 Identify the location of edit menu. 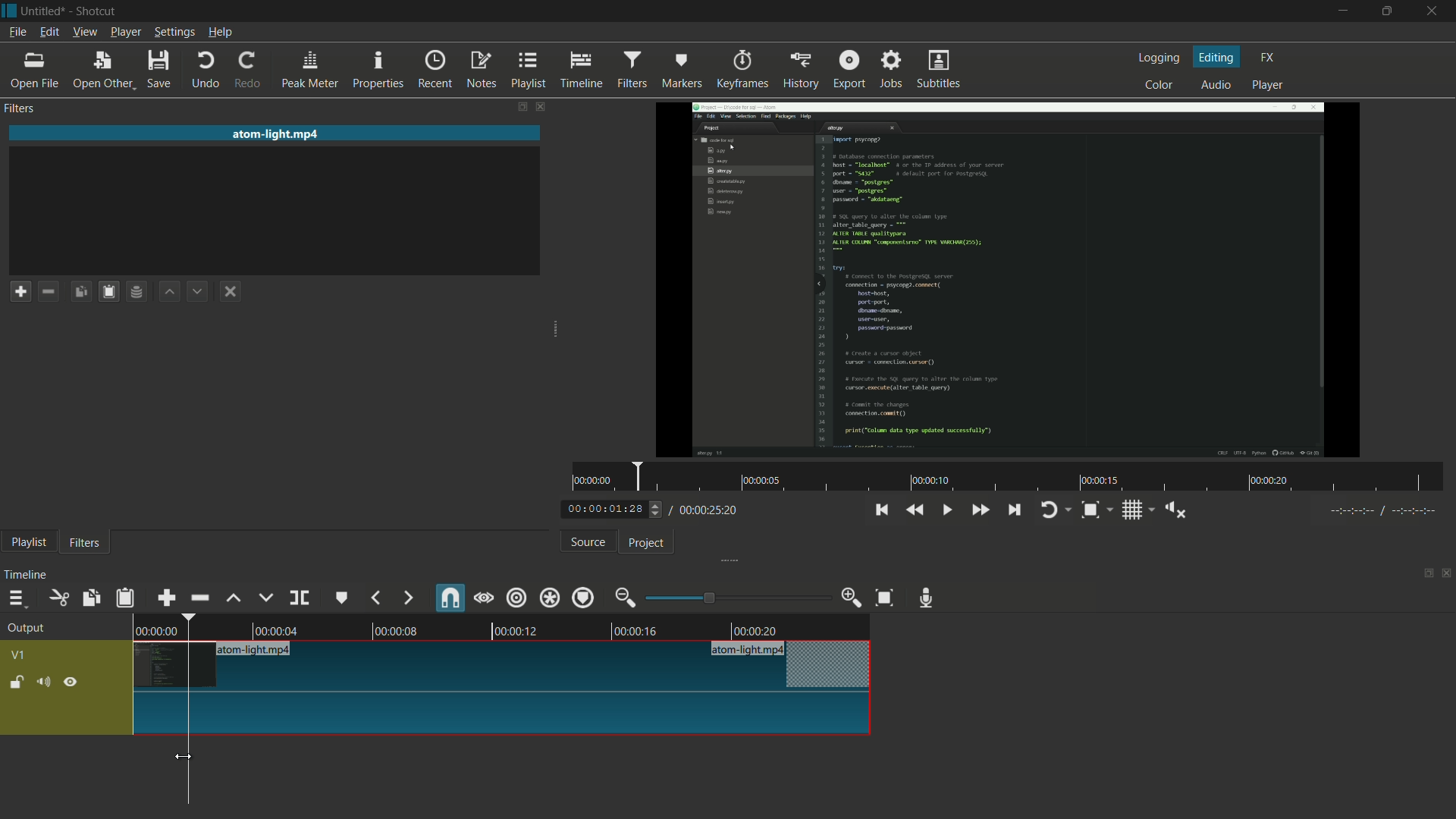
(49, 33).